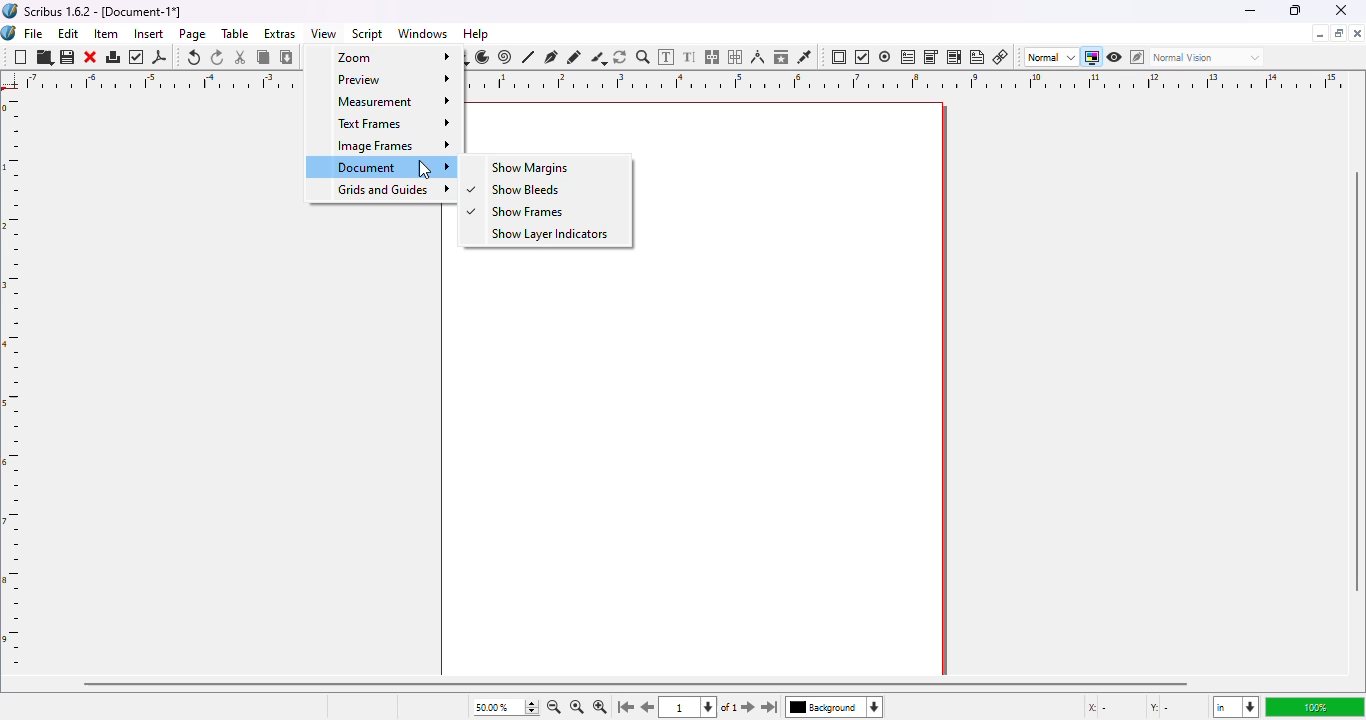 This screenshot has width=1366, height=720. Describe the element at coordinates (382, 168) in the screenshot. I see `document` at that location.